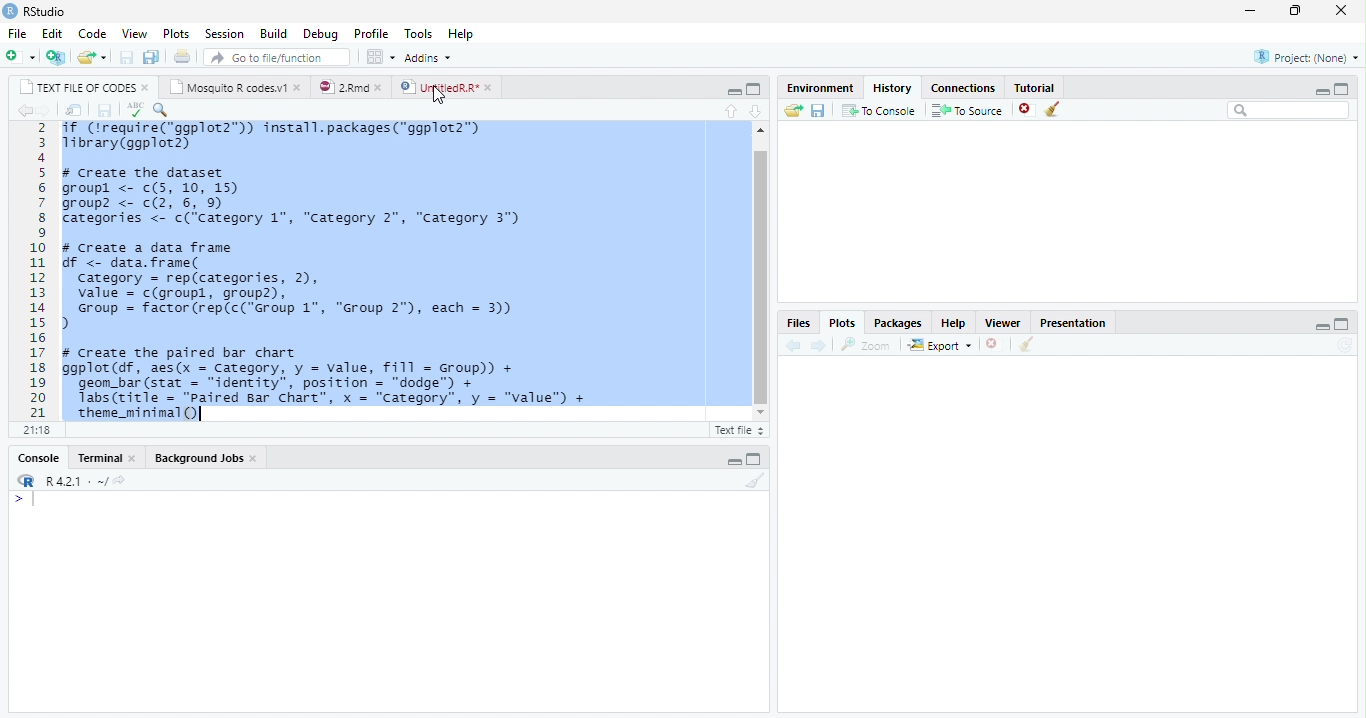 Image resolution: width=1366 pixels, height=718 pixels. I want to click on UntitledR.R*, so click(439, 87).